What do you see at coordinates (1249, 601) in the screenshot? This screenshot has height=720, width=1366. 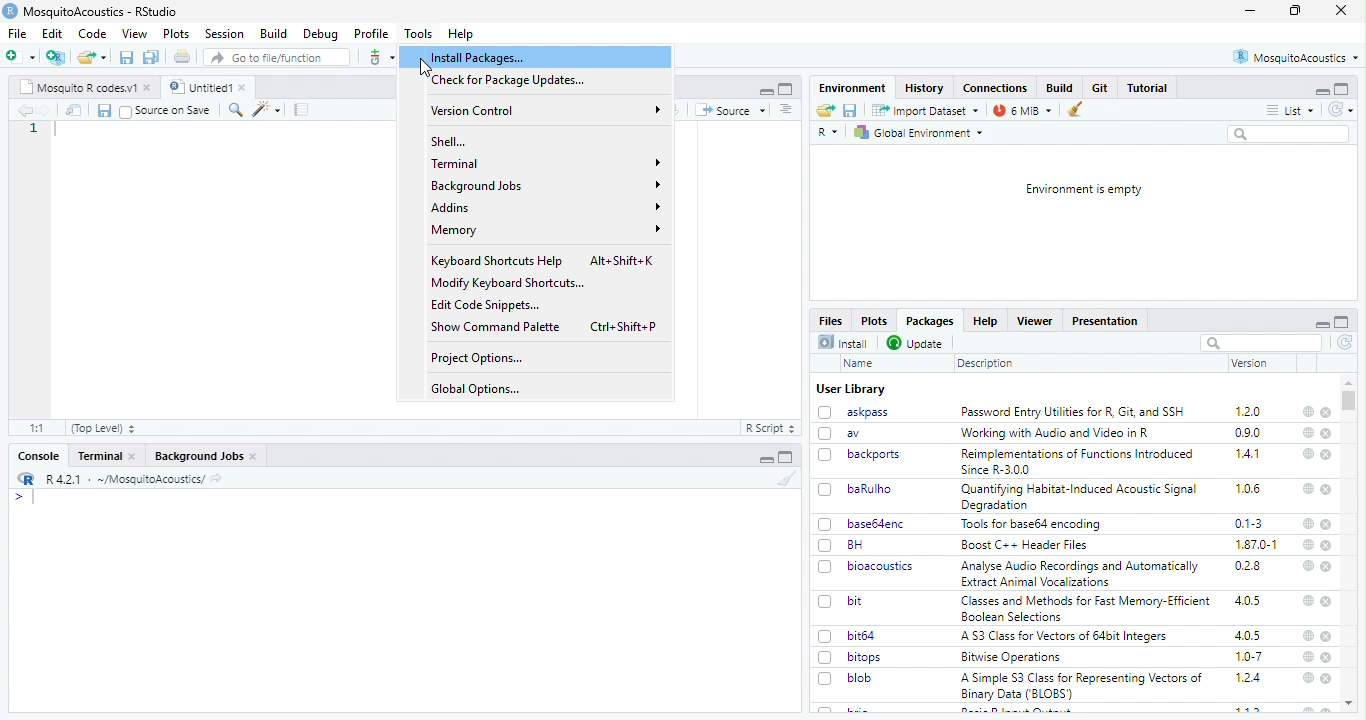 I see `405` at bounding box center [1249, 601].